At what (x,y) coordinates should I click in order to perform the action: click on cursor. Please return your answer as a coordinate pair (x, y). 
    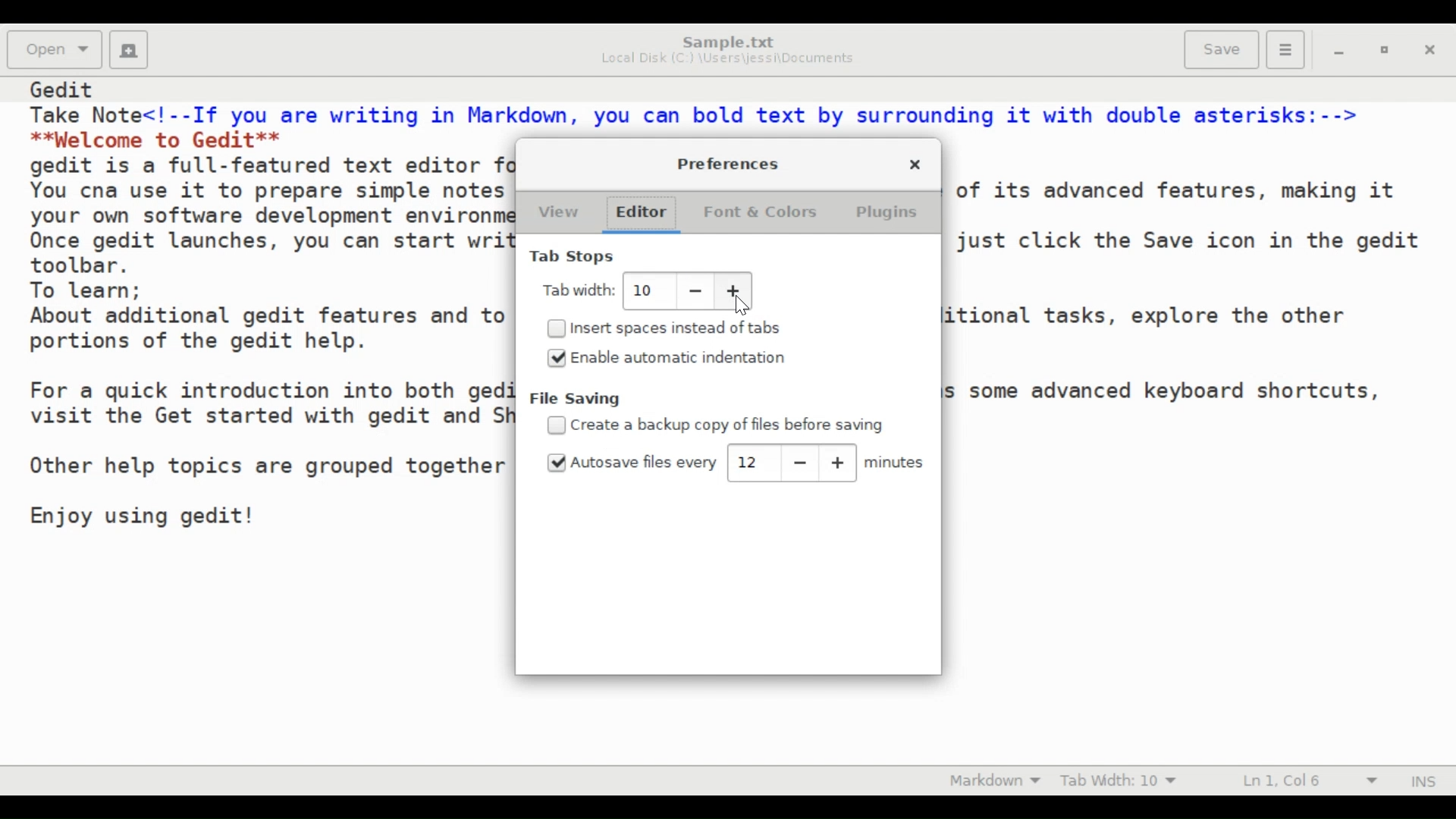
    Looking at the image, I should click on (742, 306).